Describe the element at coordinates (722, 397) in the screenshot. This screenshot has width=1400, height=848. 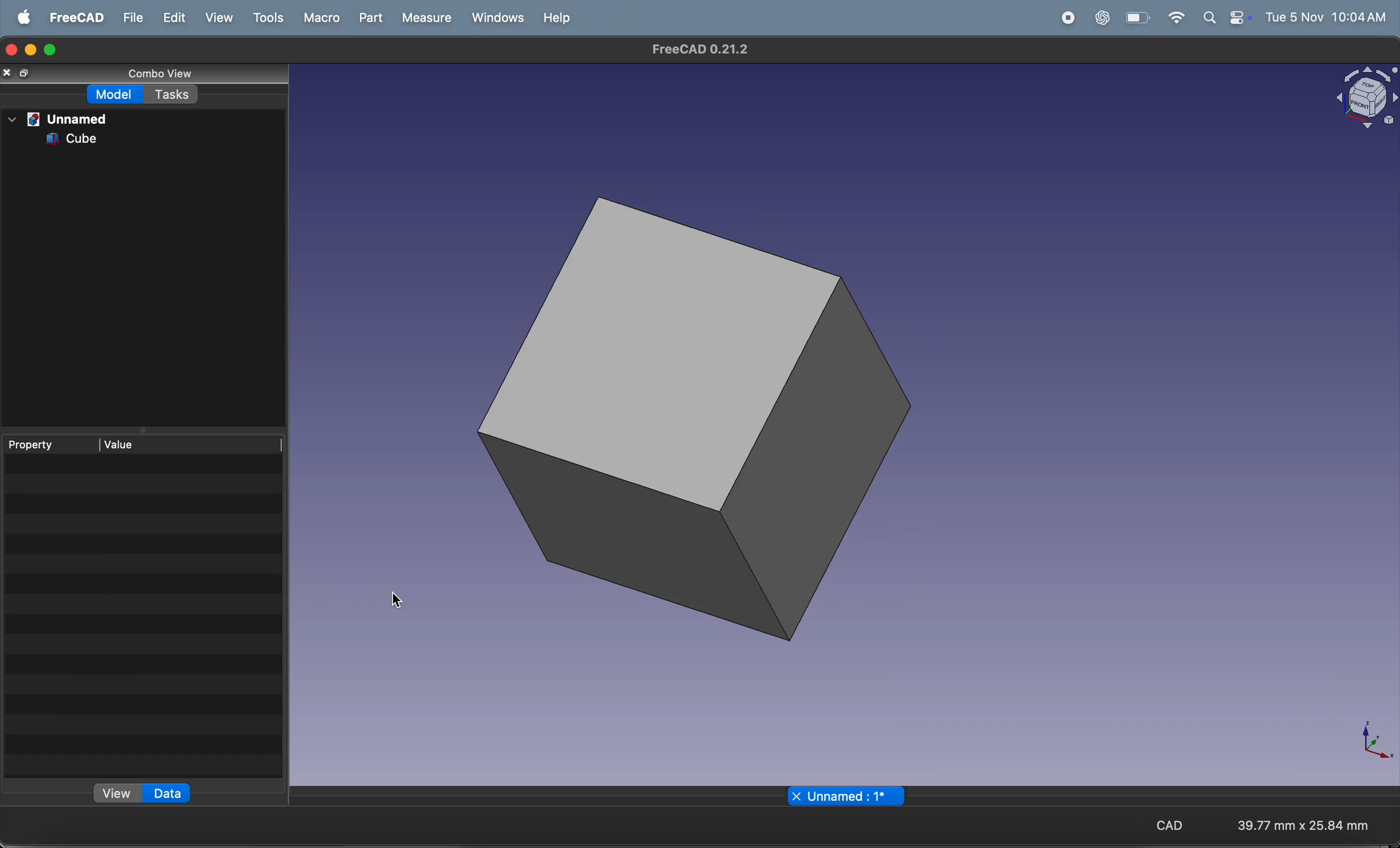
I see `3d cube` at that location.